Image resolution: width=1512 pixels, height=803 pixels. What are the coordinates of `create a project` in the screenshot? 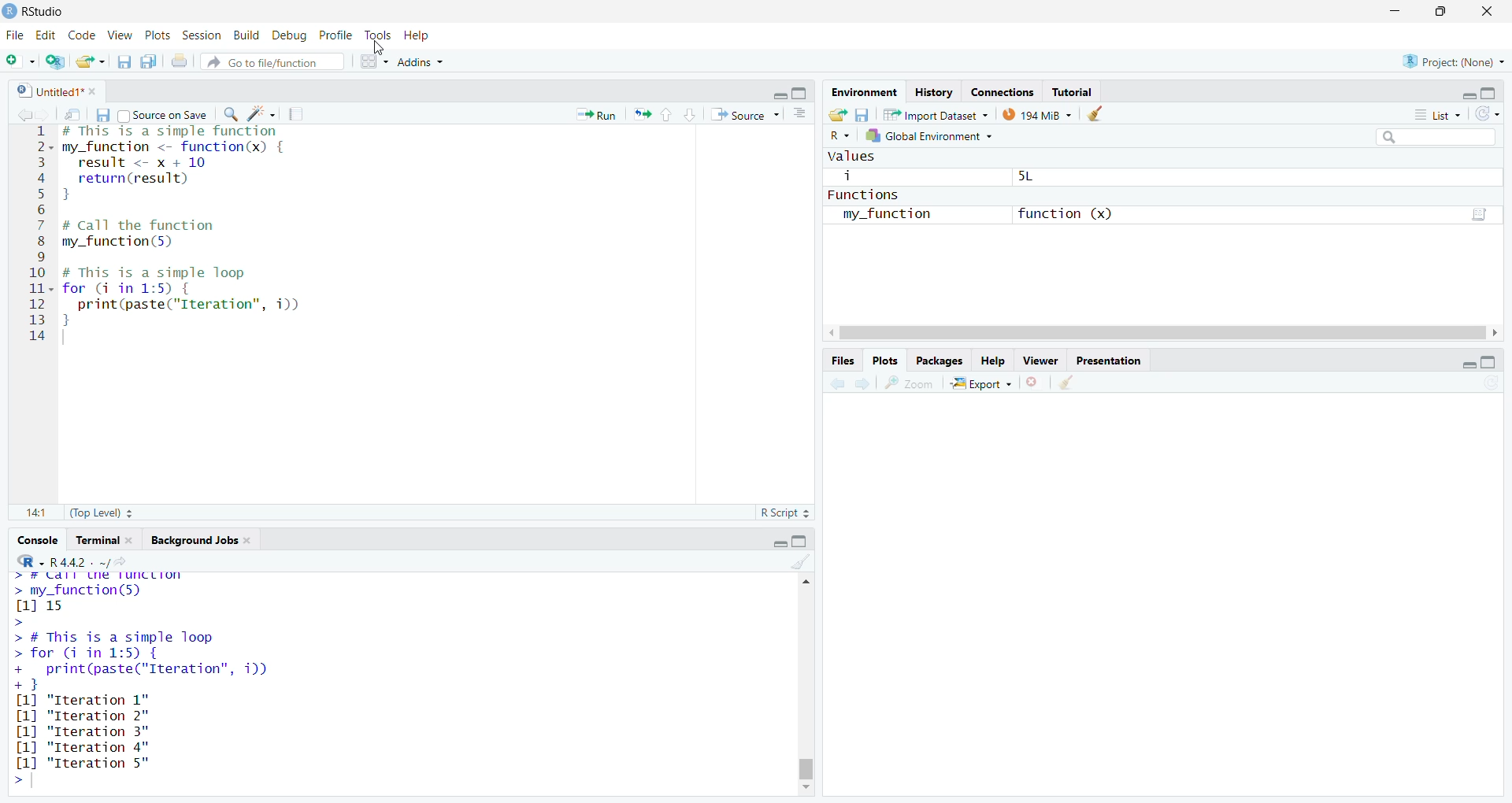 It's located at (55, 59).